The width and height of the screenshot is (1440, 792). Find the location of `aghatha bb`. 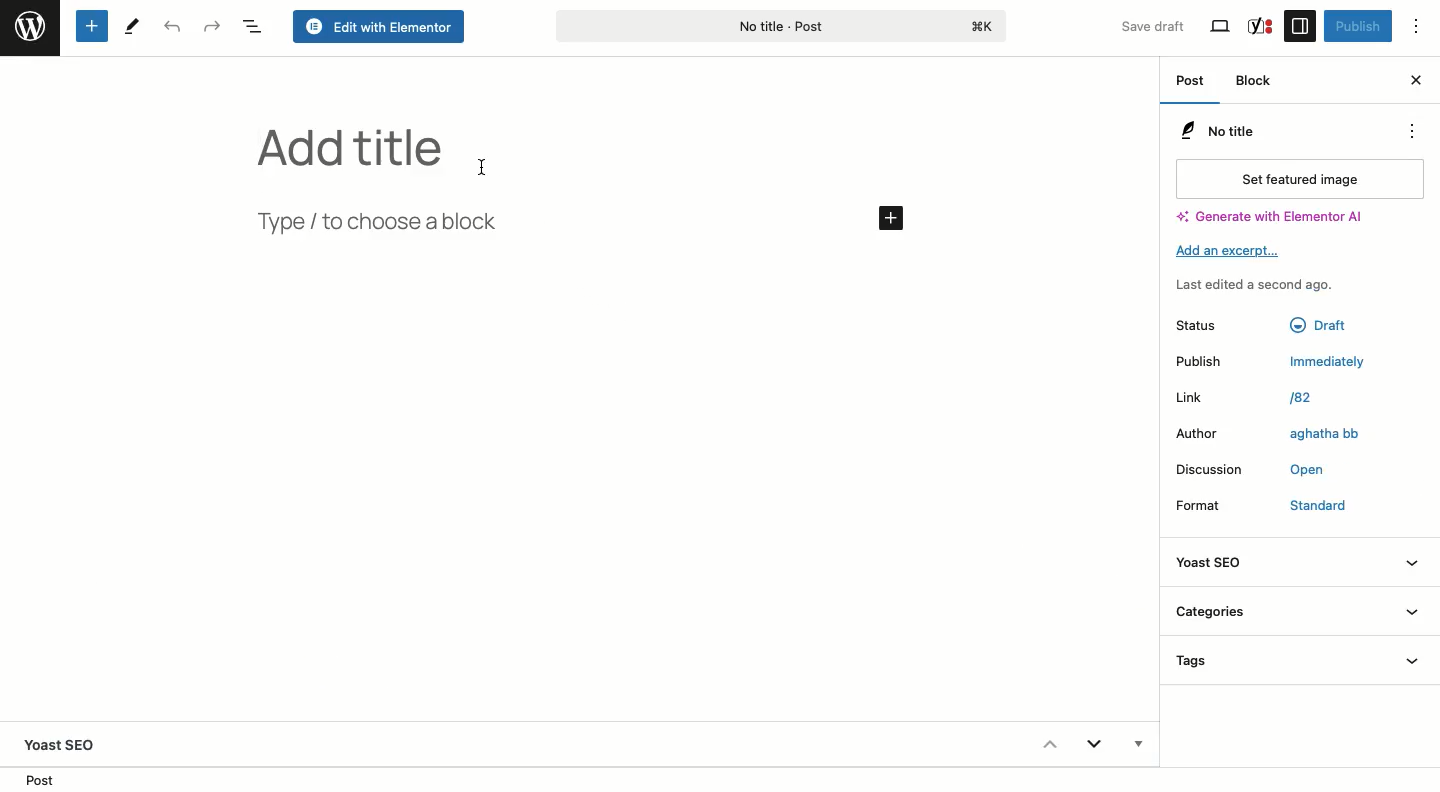

aghatha bb is located at coordinates (1325, 433).